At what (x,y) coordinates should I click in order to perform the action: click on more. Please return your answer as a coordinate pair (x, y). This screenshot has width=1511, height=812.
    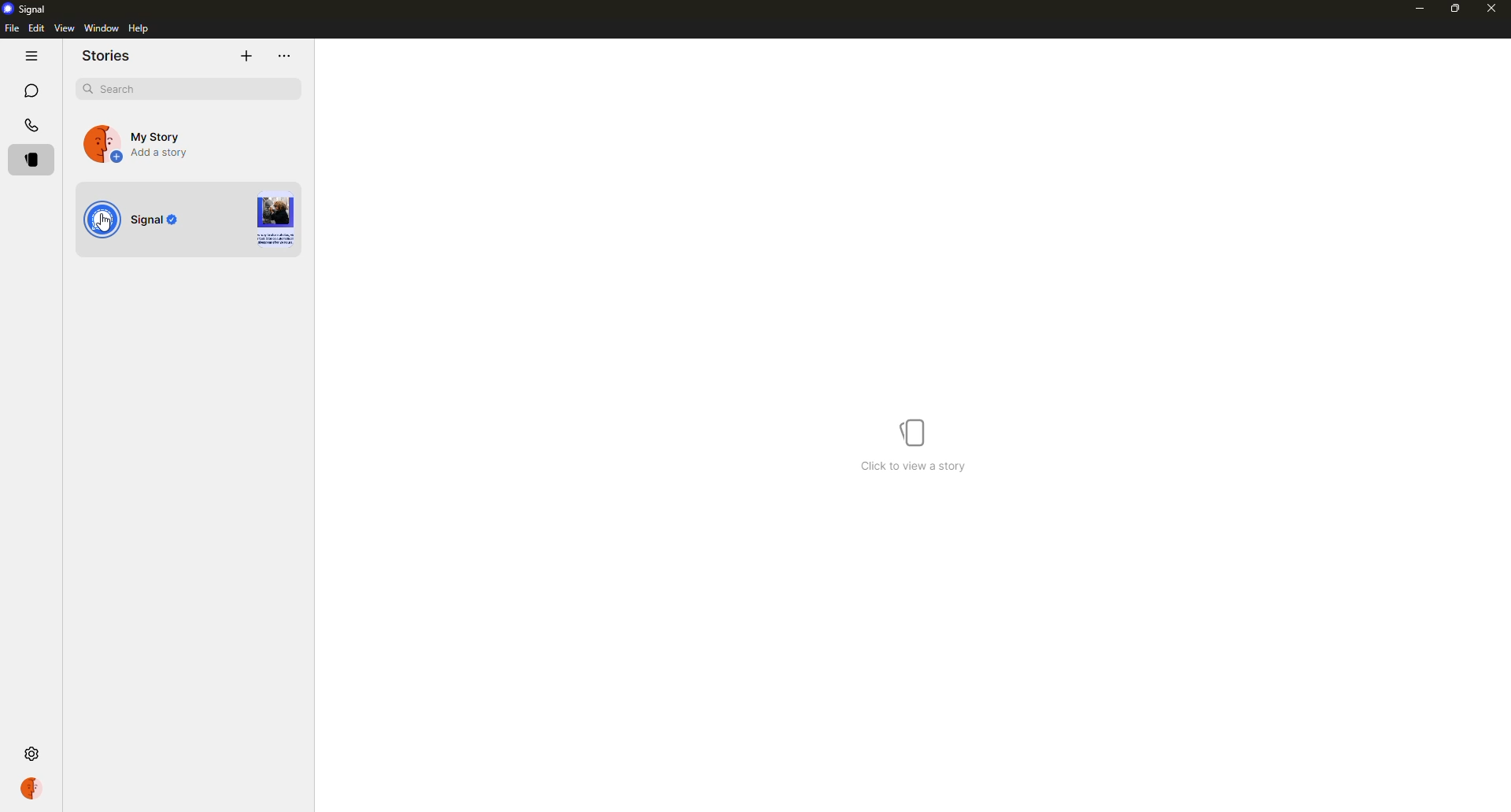
    Looking at the image, I should click on (284, 55).